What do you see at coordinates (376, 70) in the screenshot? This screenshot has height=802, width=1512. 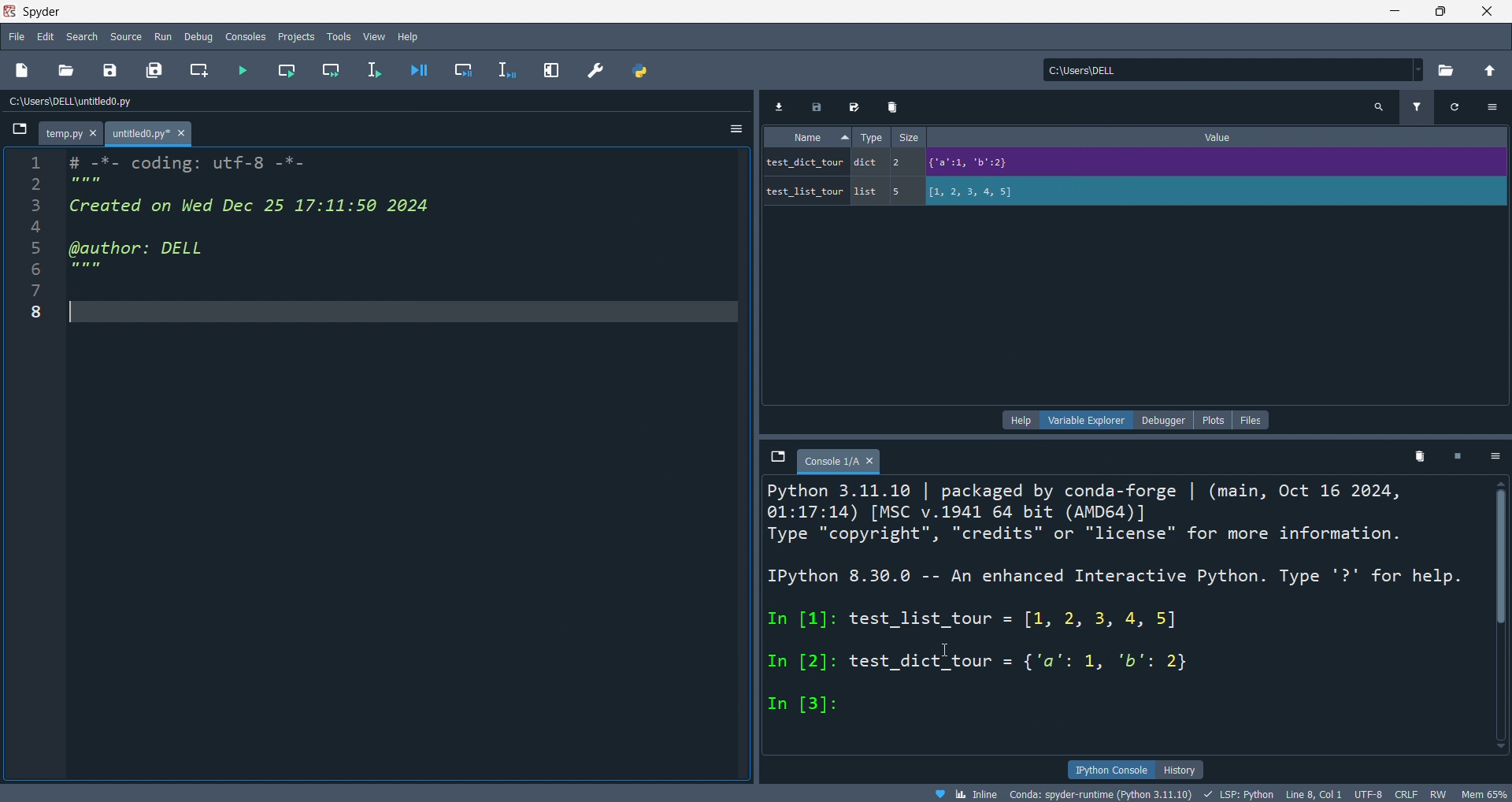 I see `run lin` at bounding box center [376, 70].